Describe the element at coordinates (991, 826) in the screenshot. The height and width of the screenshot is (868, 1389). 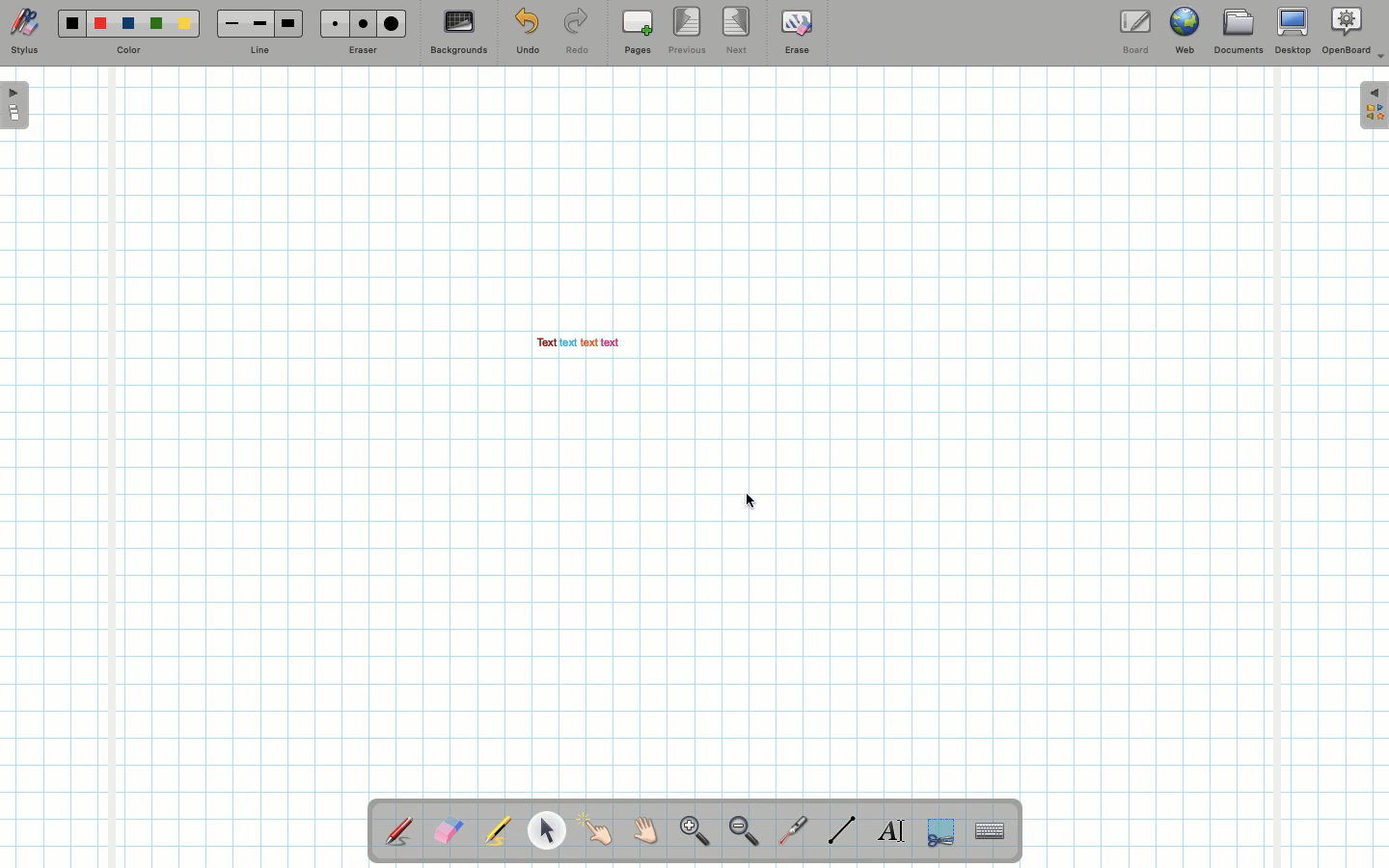
I see `Text input` at that location.